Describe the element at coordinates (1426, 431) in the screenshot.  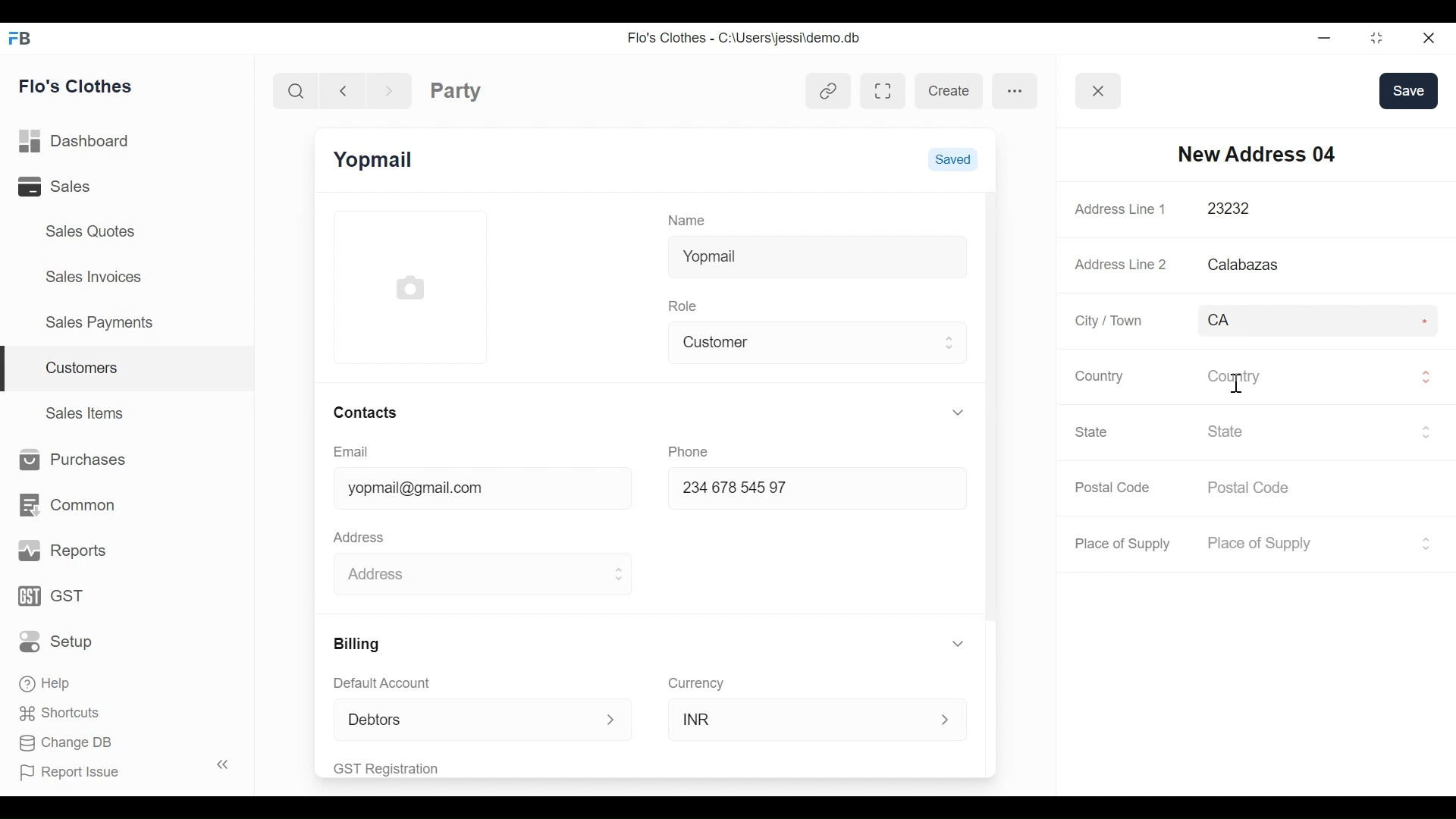
I see `Expand` at that location.